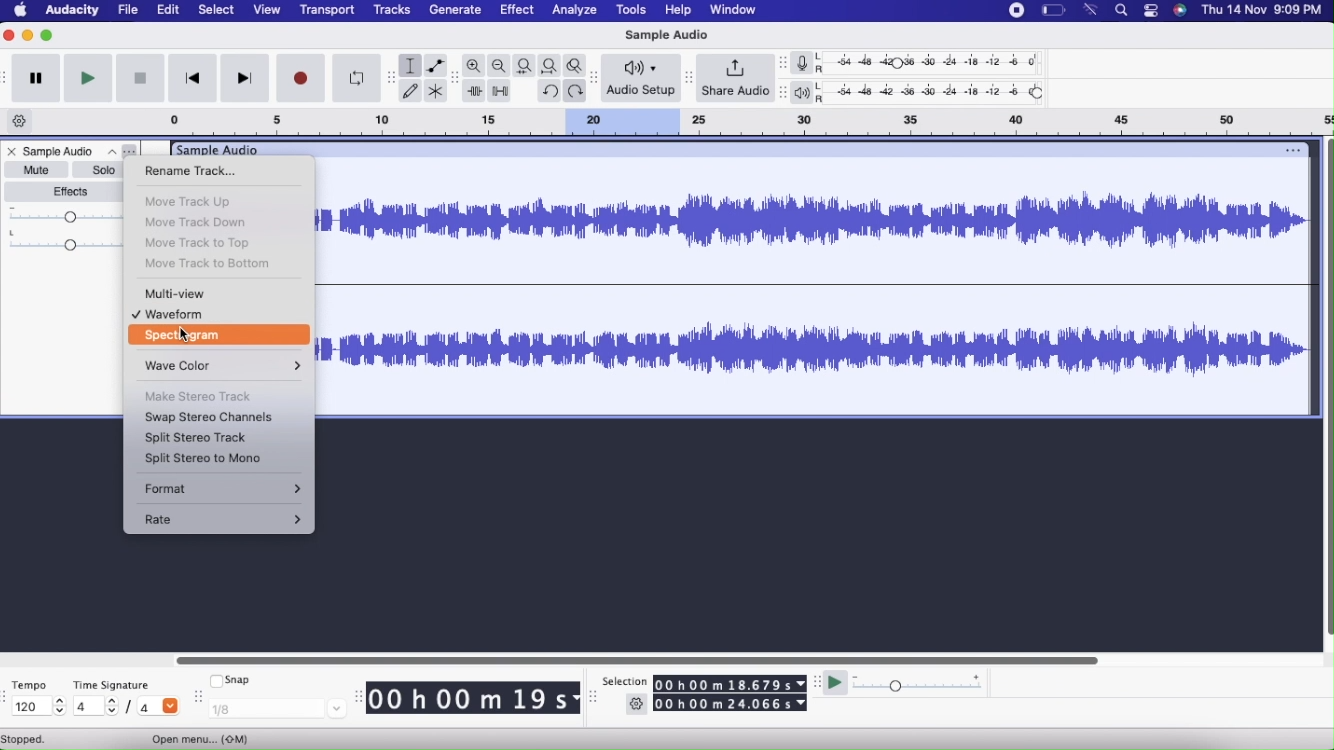  Describe the element at coordinates (454, 79) in the screenshot. I see `move toolbar` at that location.